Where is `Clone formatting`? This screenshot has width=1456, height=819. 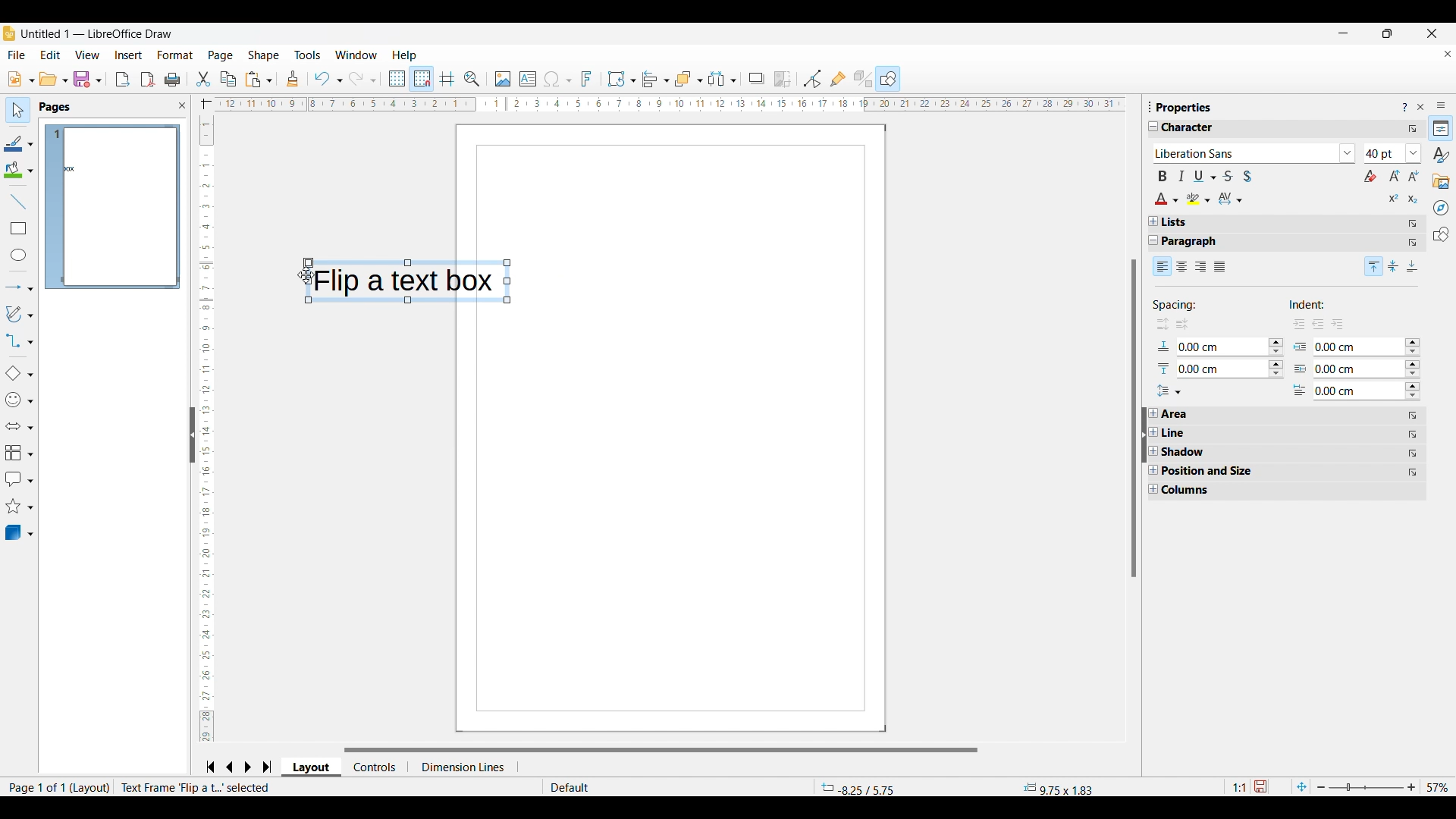 Clone formatting is located at coordinates (292, 78).